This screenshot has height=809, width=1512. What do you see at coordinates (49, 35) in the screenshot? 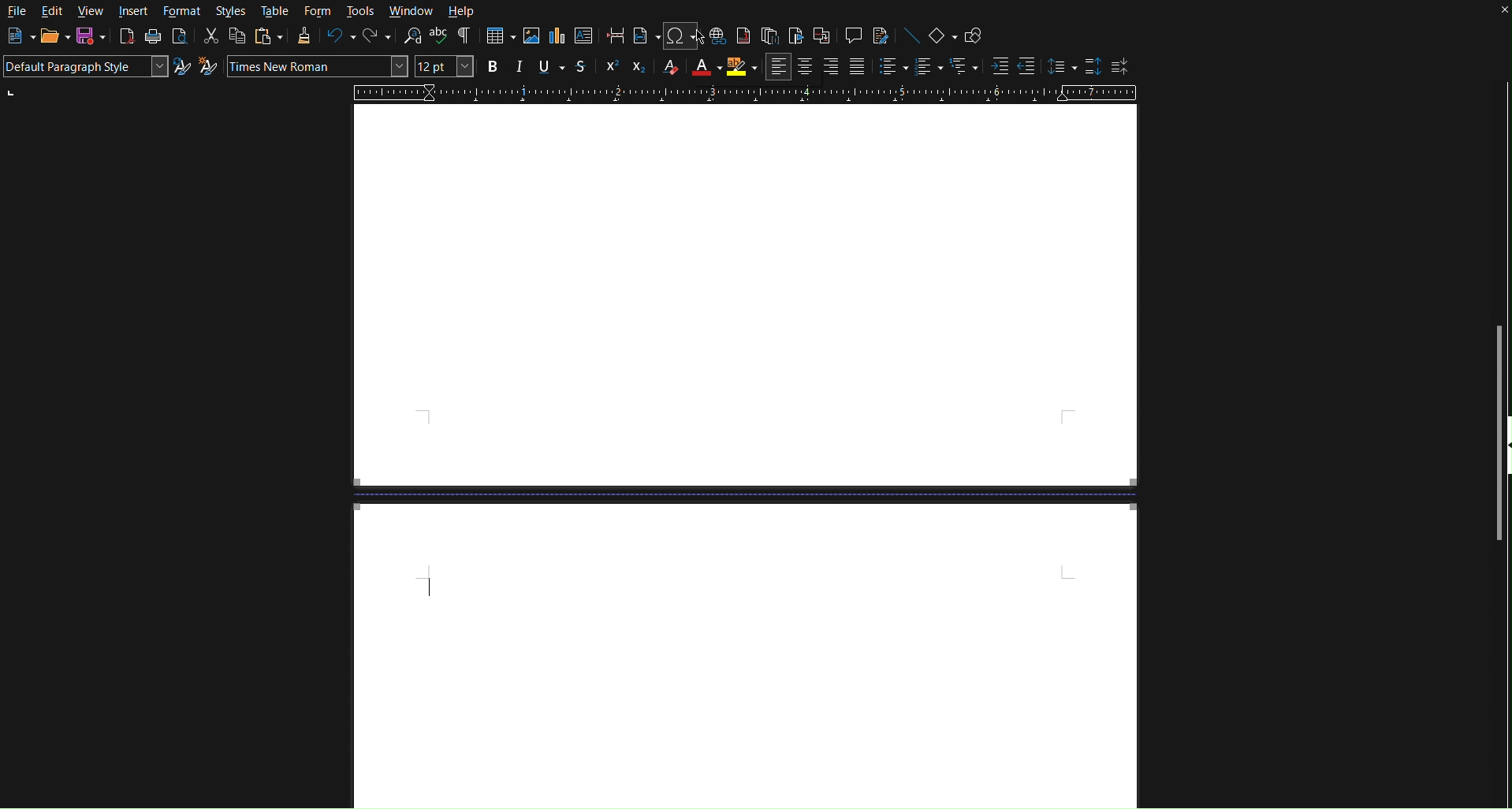
I see `Open` at bounding box center [49, 35].